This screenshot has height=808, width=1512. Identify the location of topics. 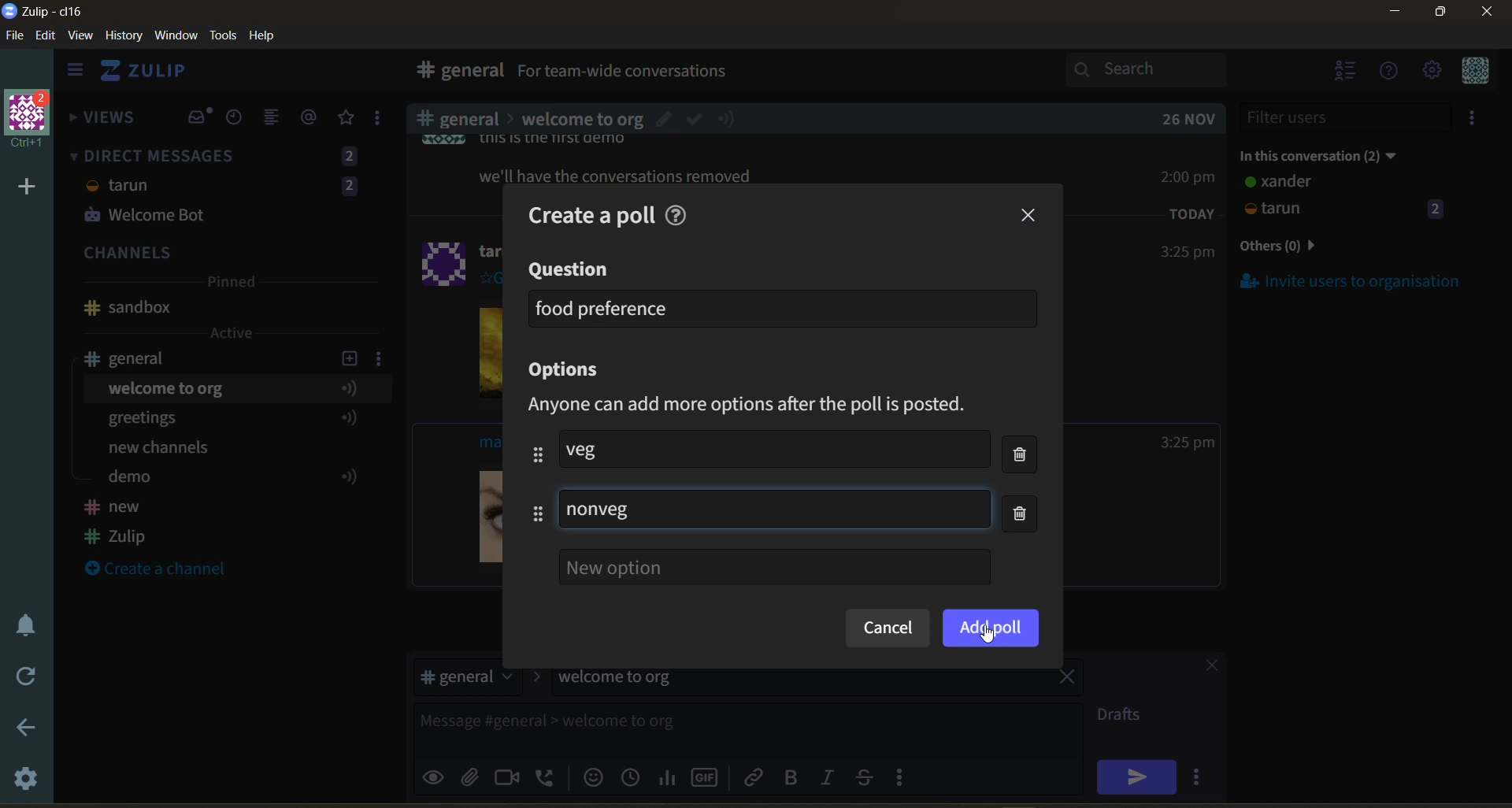
(228, 436).